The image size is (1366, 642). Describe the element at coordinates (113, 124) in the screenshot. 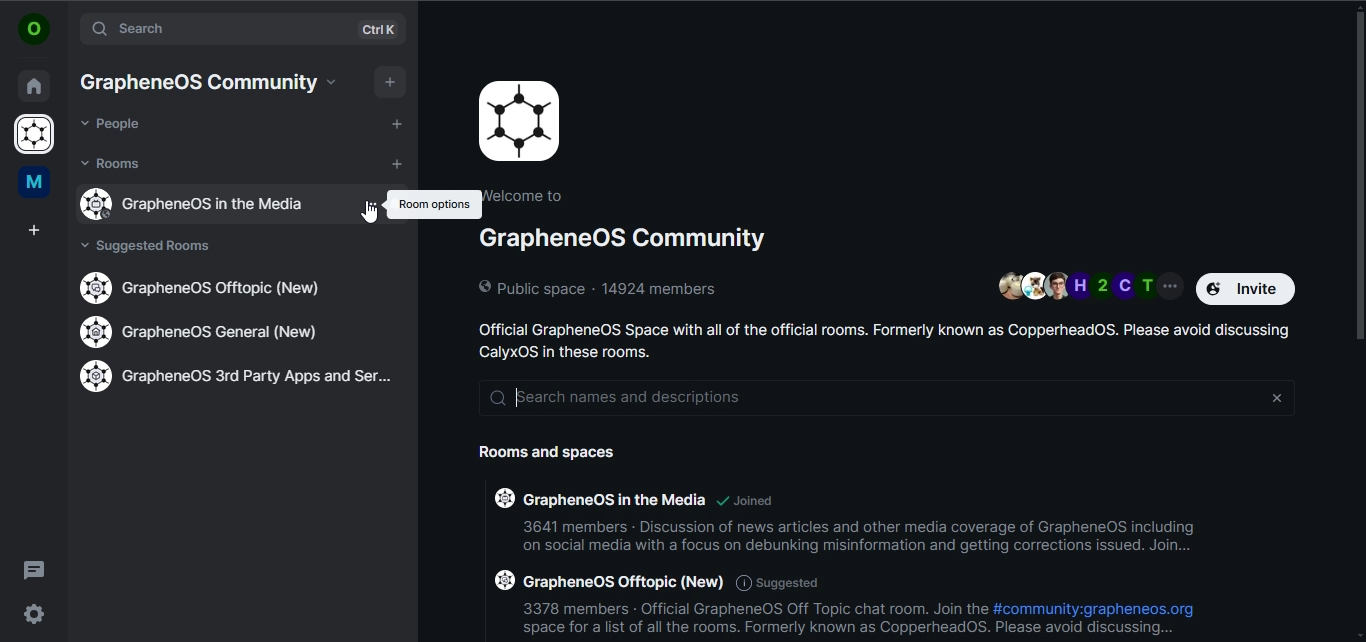

I see `people` at that location.